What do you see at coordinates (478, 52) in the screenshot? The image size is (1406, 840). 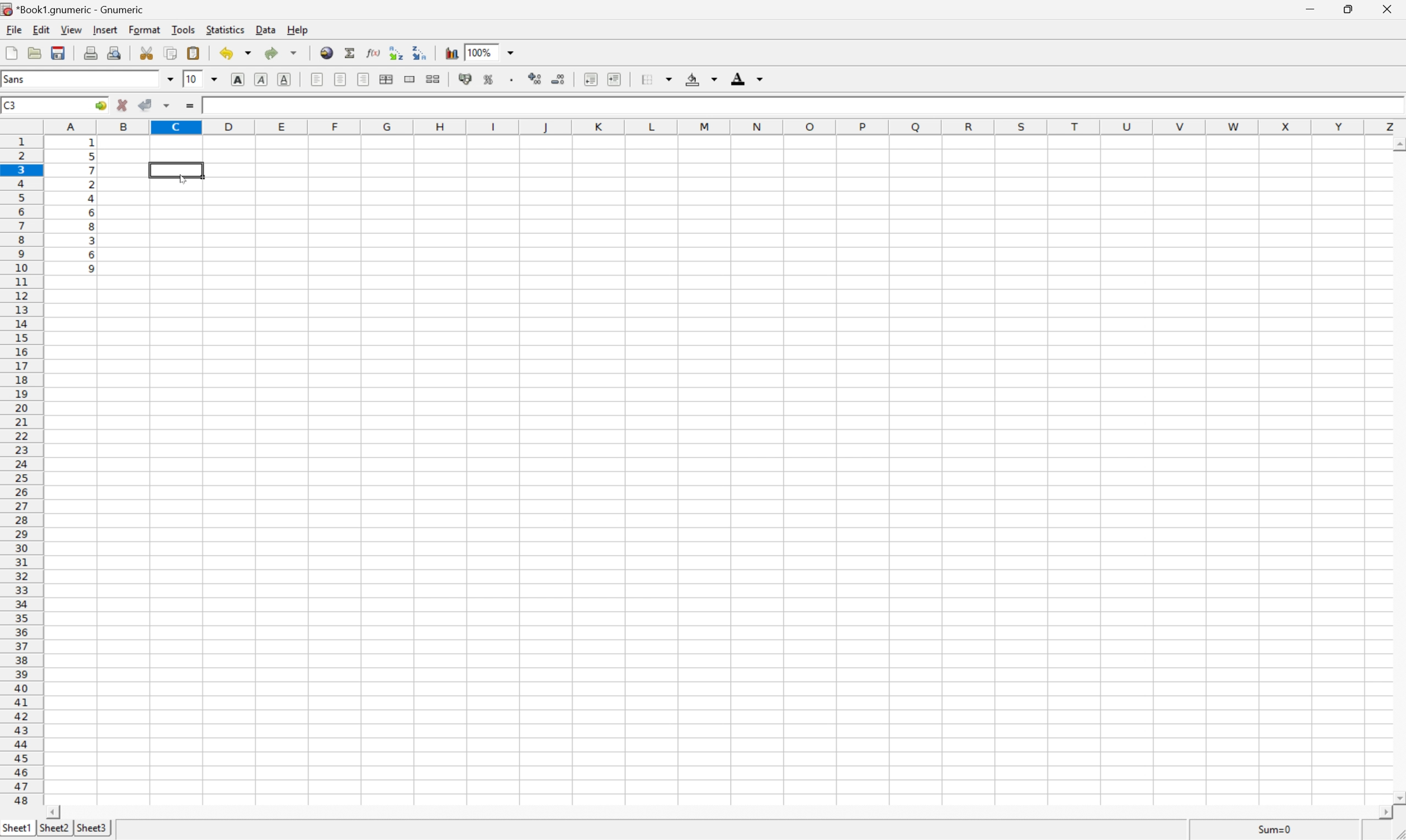 I see `100%` at bounding box center [478, 52].